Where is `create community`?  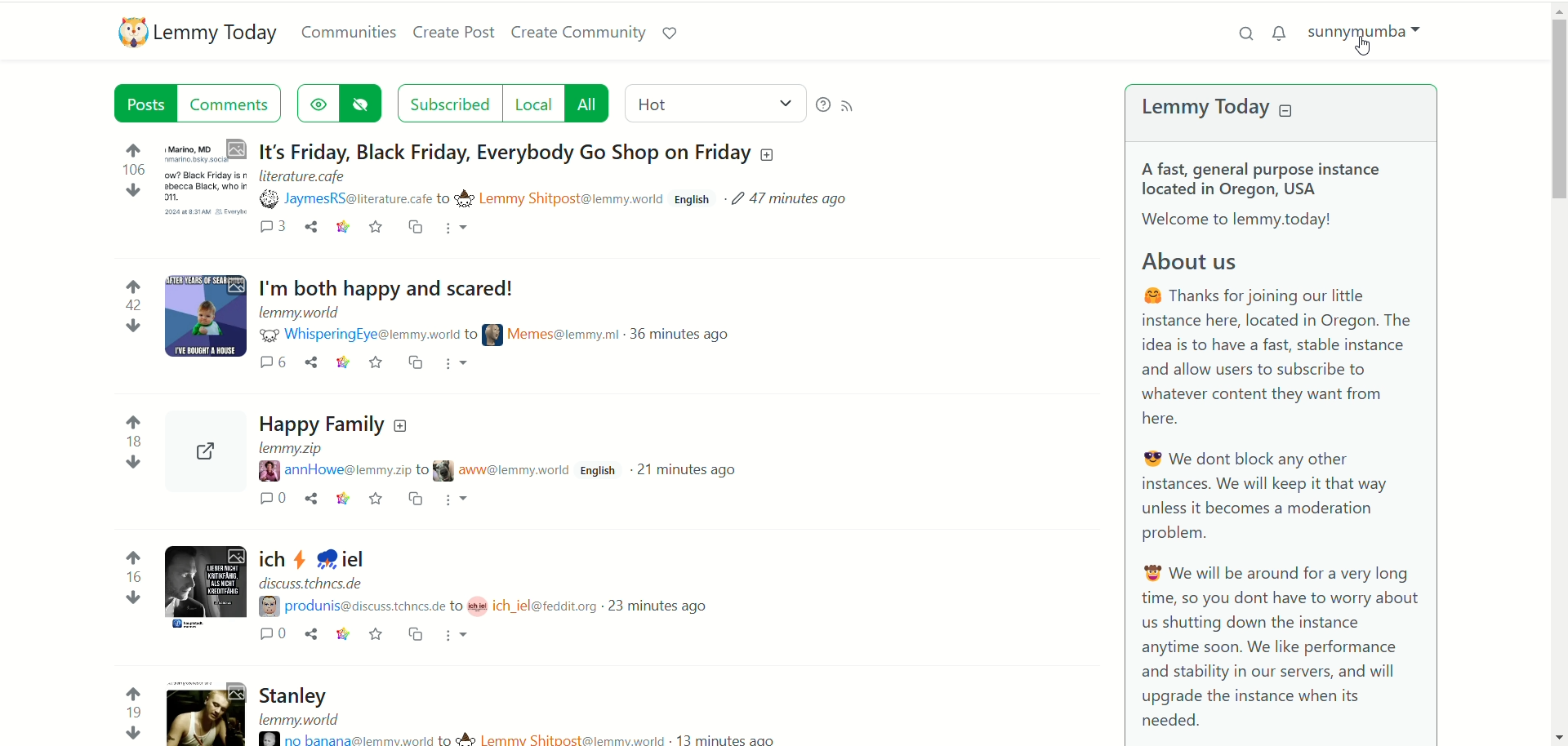
create community is located at coordinates (581, 33).